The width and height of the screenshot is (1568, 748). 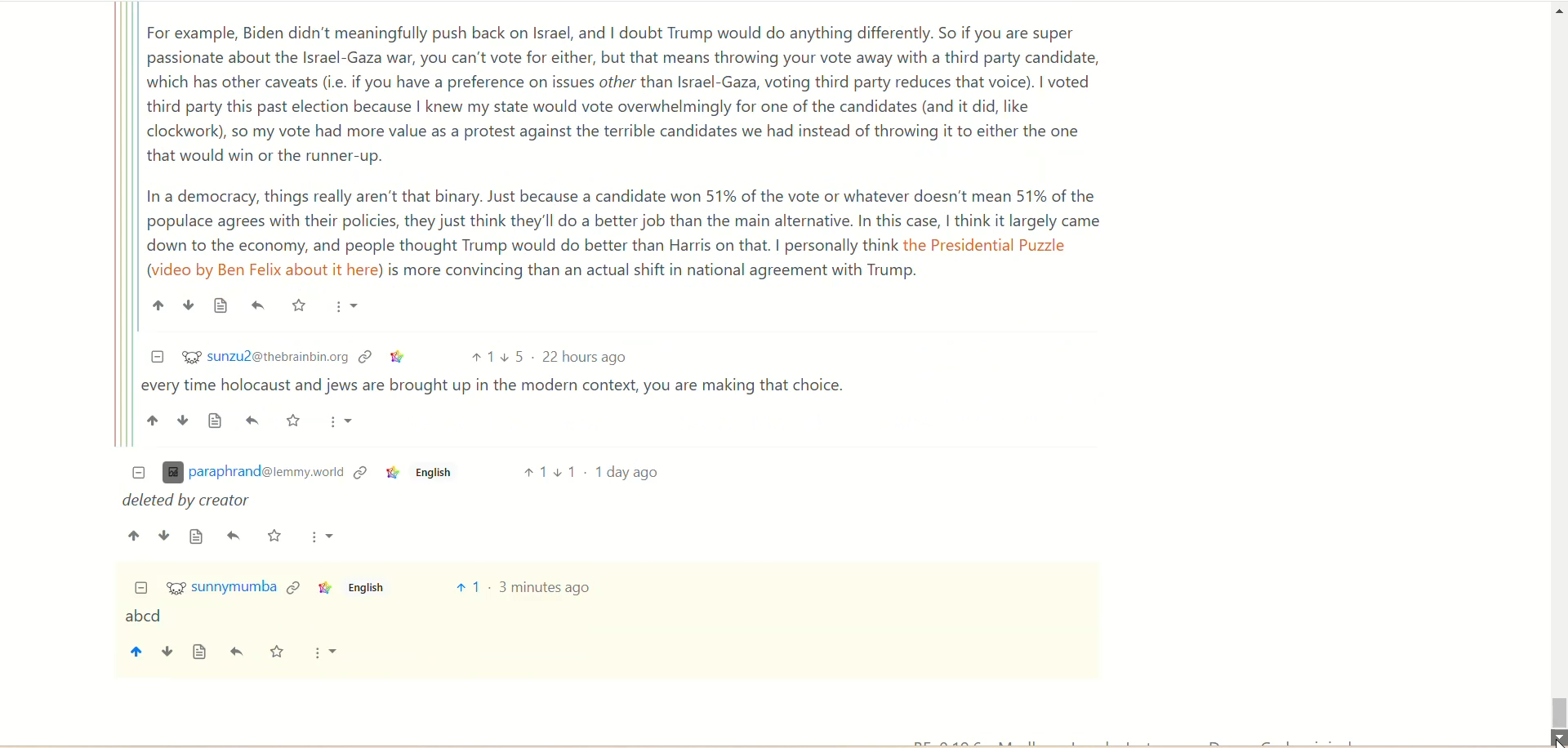 What do you see at coordinates (325, 589) in the screenshot?
I see `Link` at bounding box center [325, 589].